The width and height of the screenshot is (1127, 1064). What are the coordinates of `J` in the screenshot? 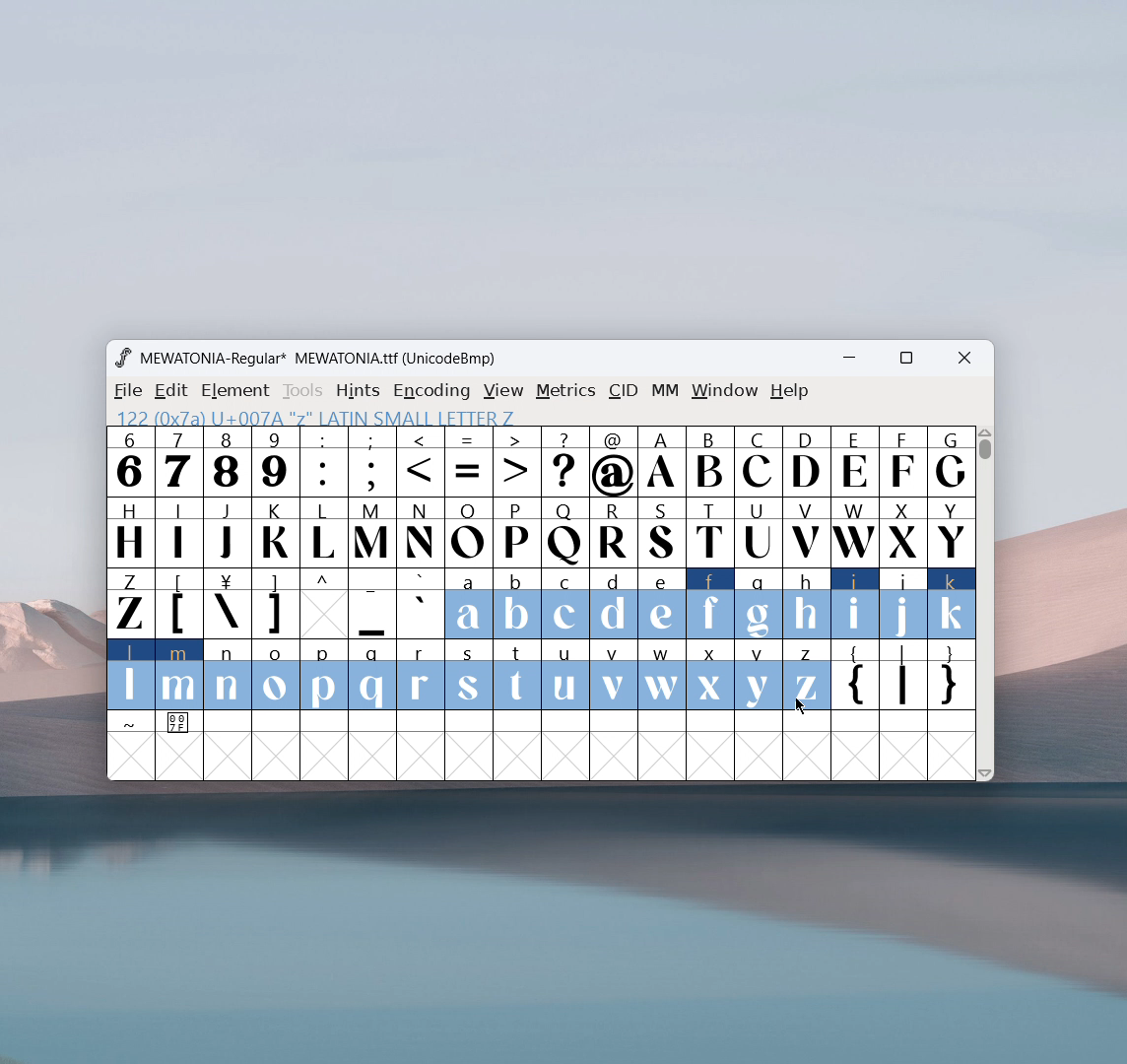 It's located at (228, 530).